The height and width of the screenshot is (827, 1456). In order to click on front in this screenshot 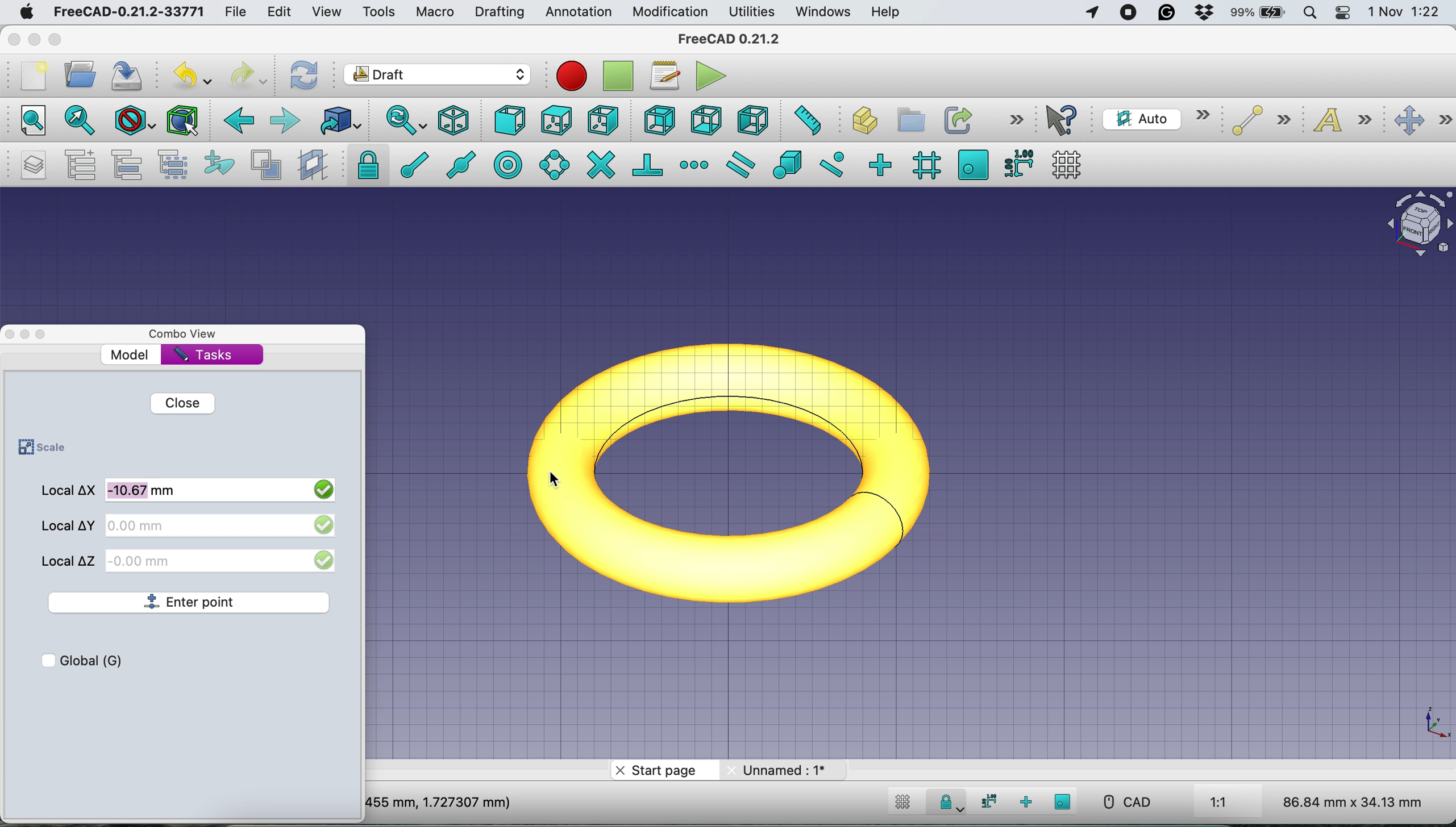, I will do `click(509, 122)`.